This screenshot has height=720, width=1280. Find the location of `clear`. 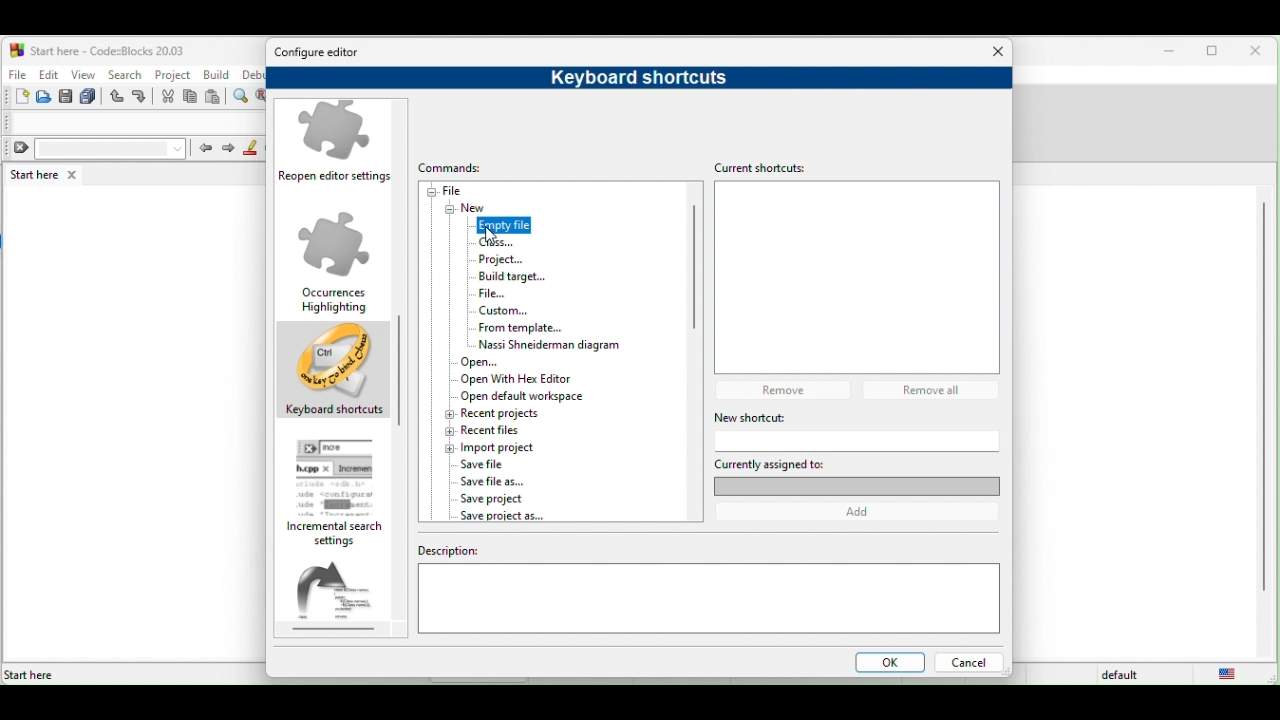

clear is located at coordinates (96, 149).